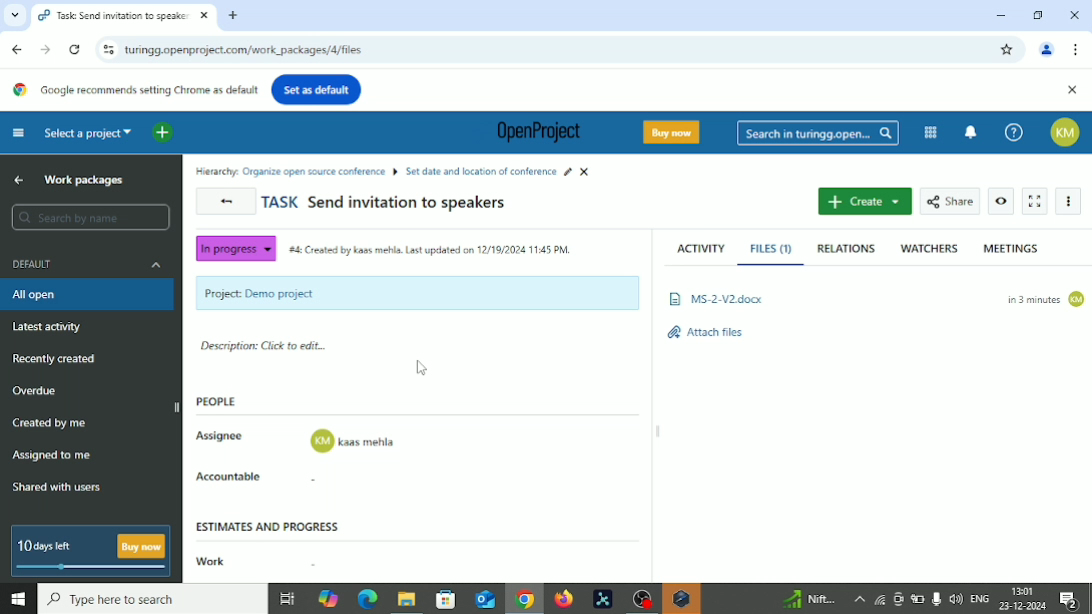 The image size is (1092, 614). Describe the element at coordinates (52, 454) in the screenshot. I see `Assigned to me` at that location.